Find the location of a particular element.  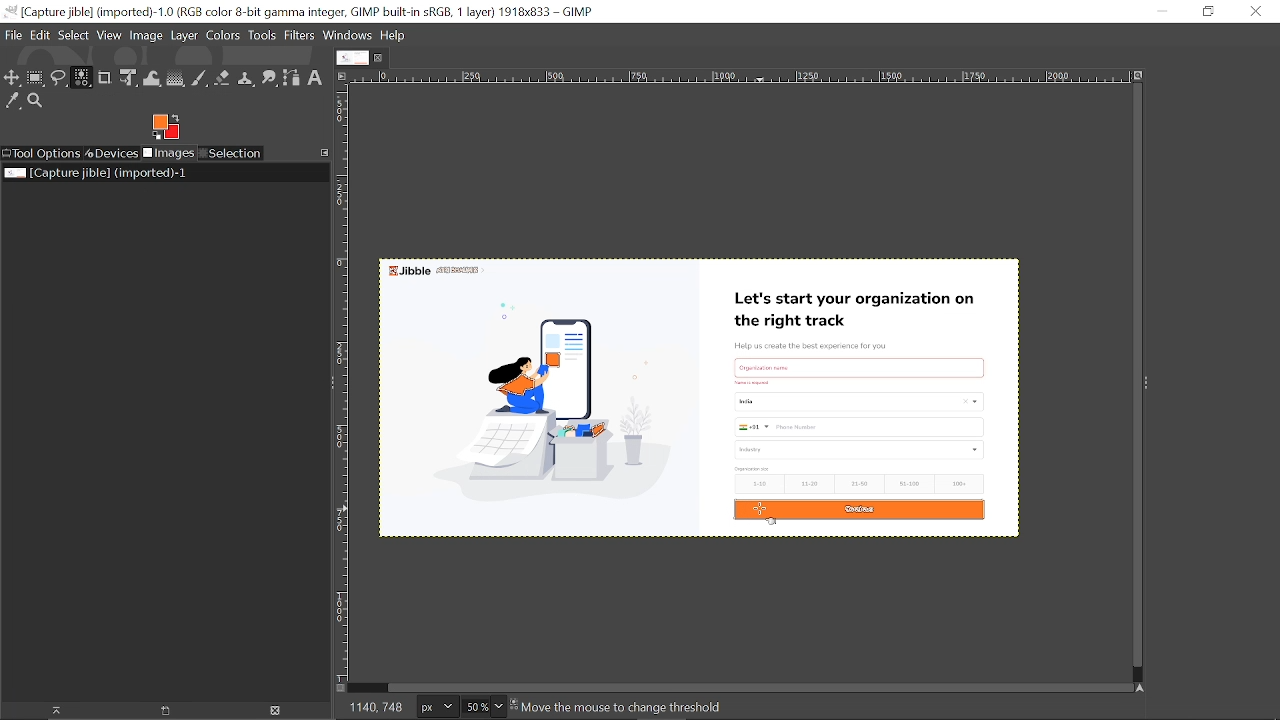

View is located at coordinates (110, 35).